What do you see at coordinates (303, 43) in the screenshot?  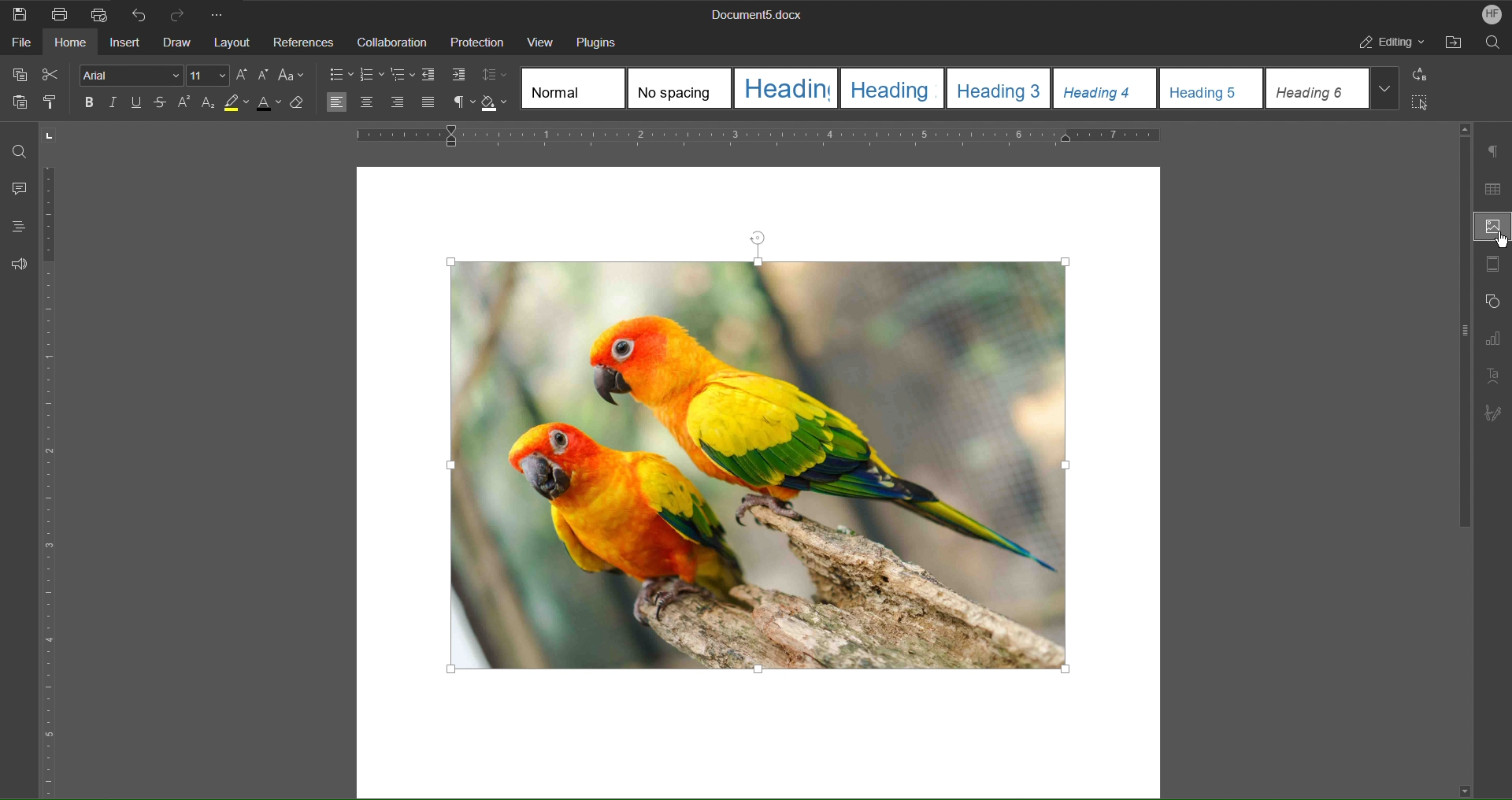 I see `References` at bounding box center [303, 43].